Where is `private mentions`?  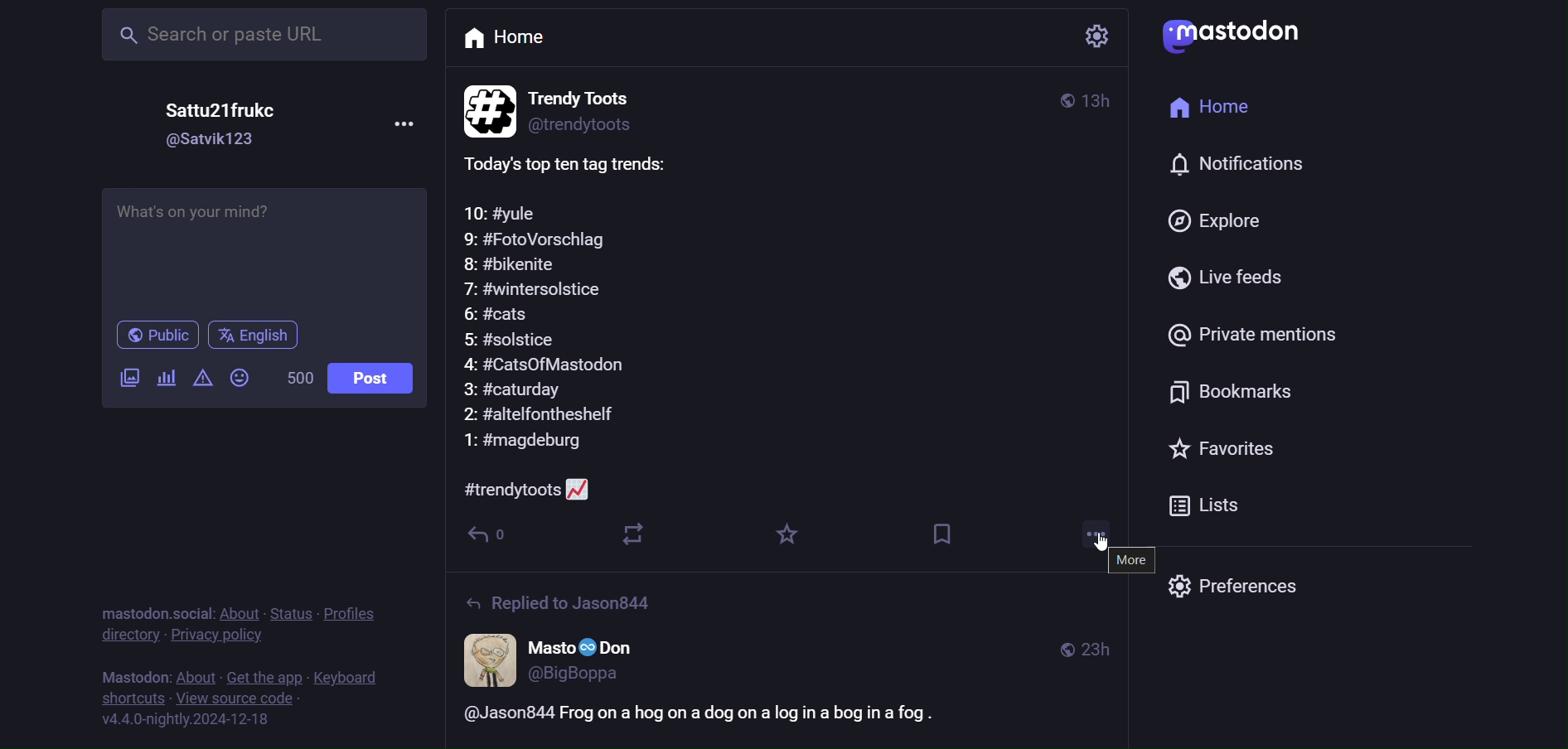 private mentions is located at coordinates (1243, 339).